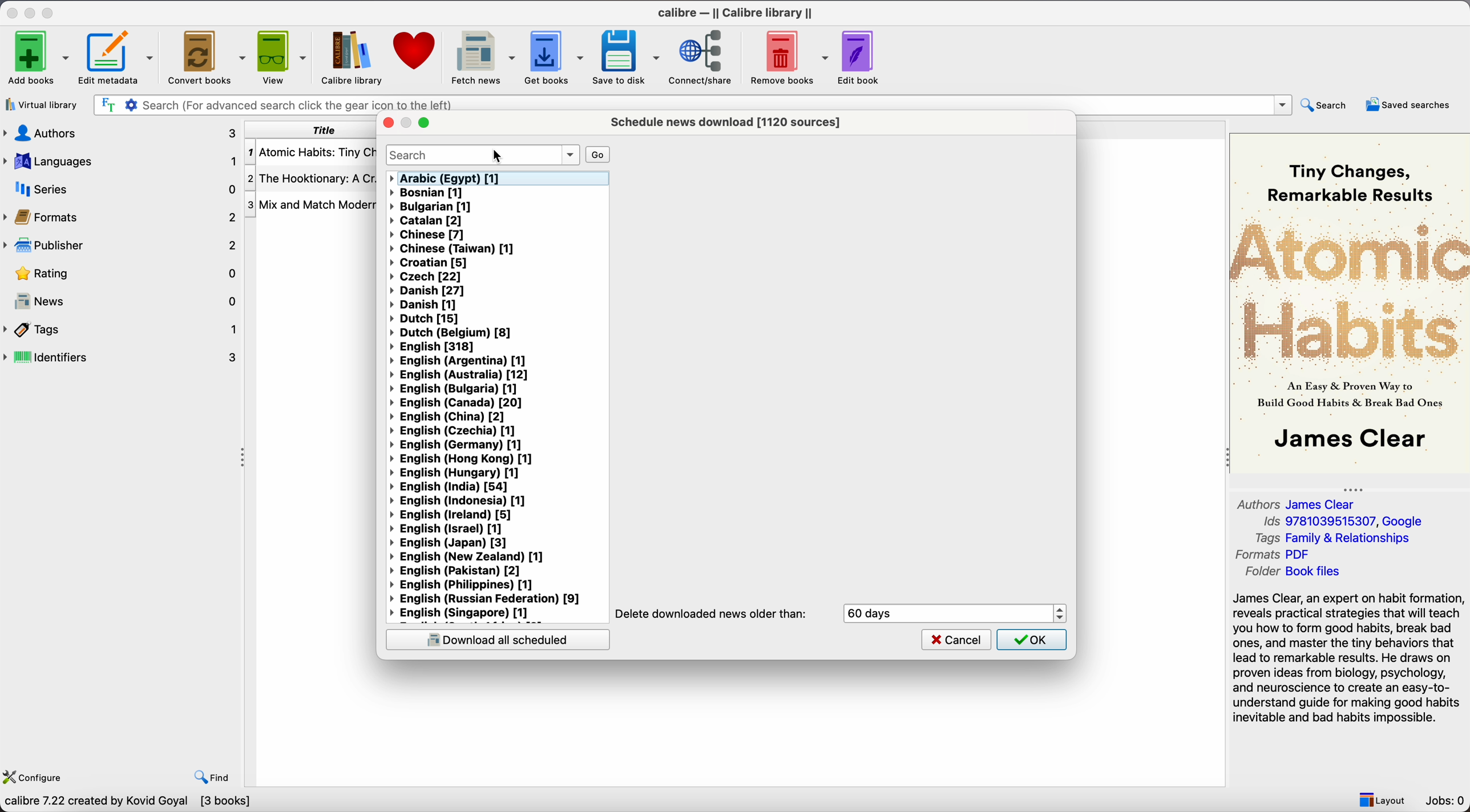 Image resolution: width=1470 pixels, height=812 pixels. Describe the element at coordinates (597, 153) in the screenshot. I see `go` at that location.